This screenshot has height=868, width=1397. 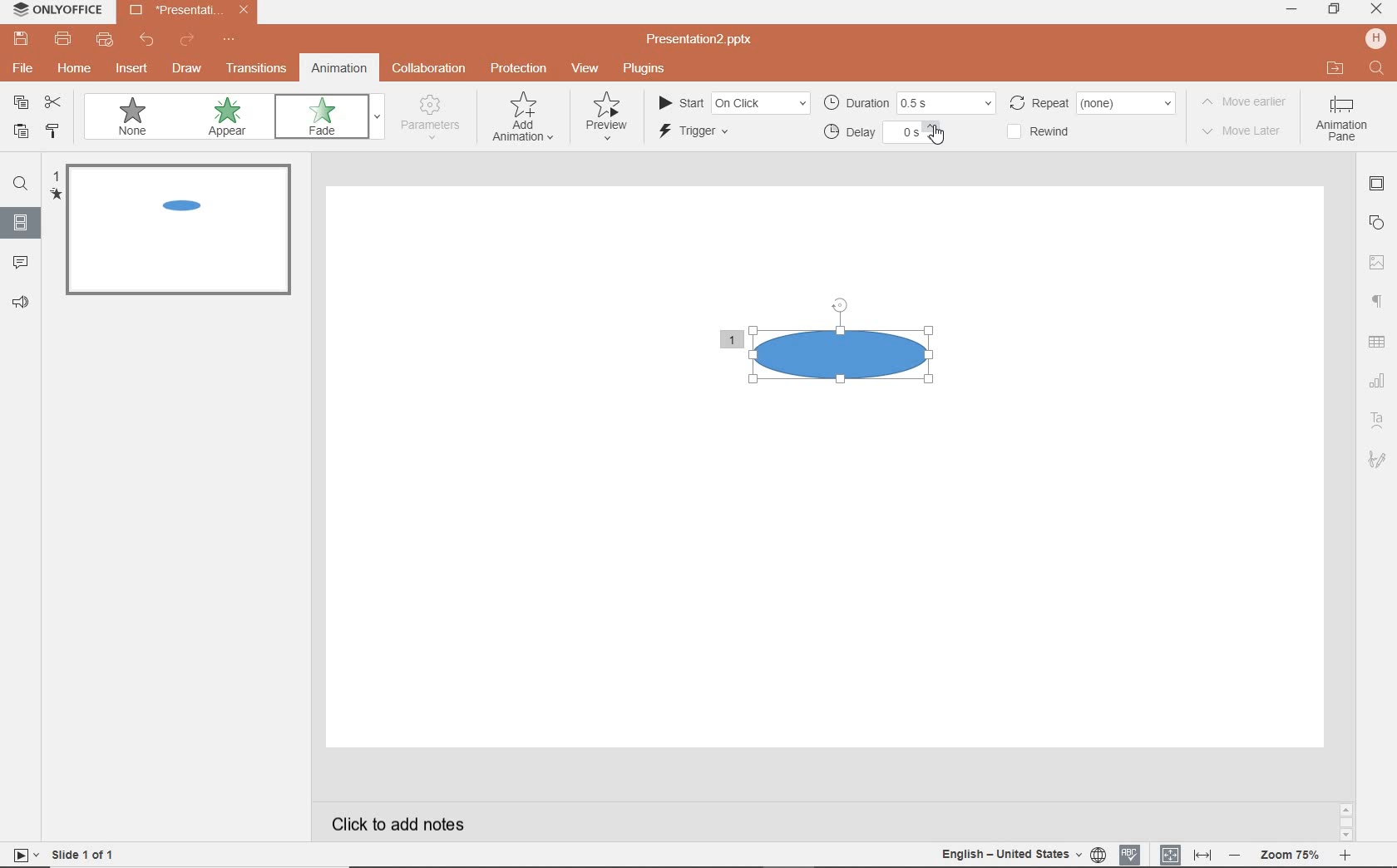 What do you see at coordinates (1290, 11) in the screenshot?
I see `MINIMIZE` at bounding box center [1290, 11].